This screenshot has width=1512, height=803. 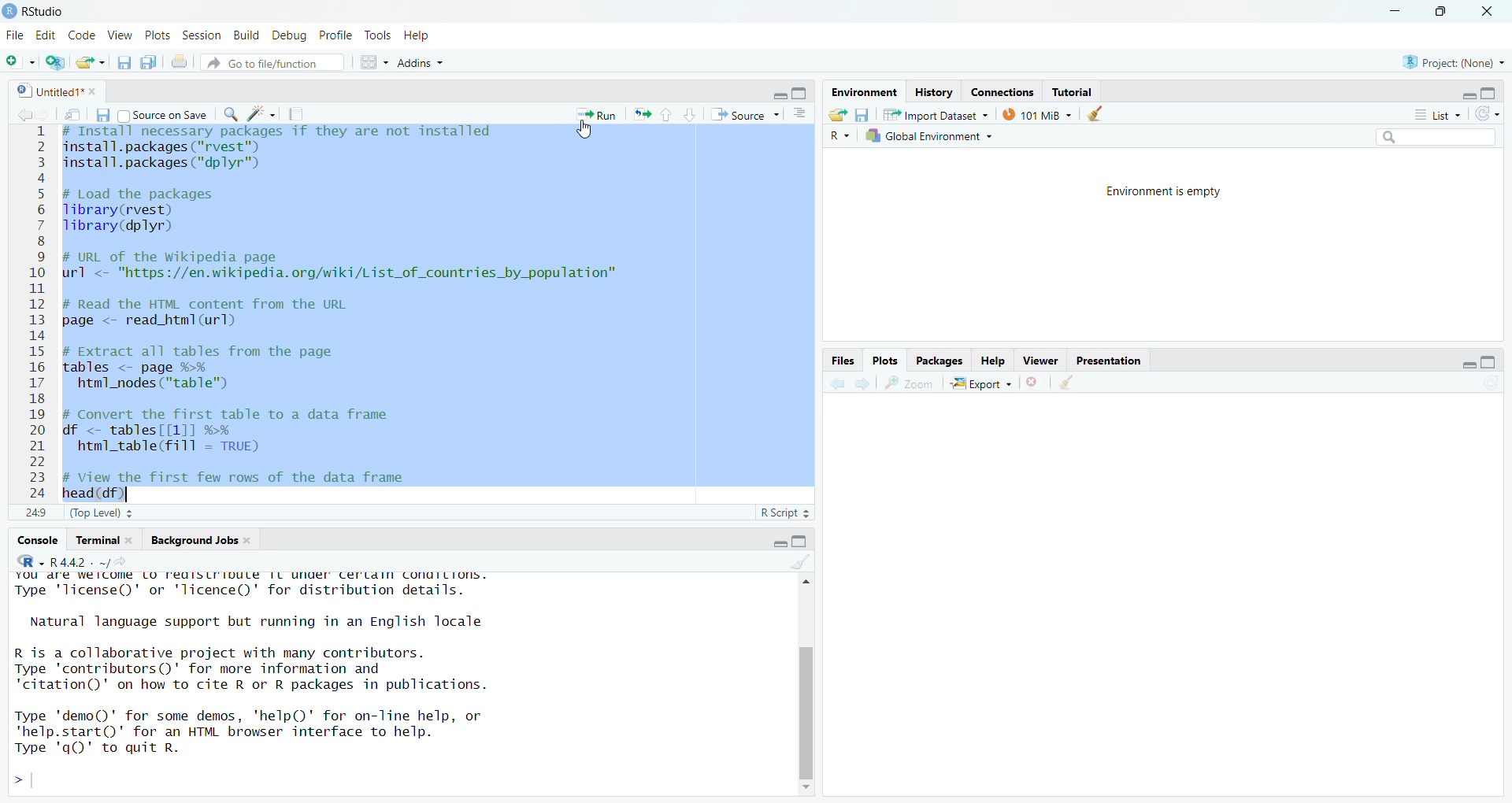 I want to click on save, so click(x=102, y=114).